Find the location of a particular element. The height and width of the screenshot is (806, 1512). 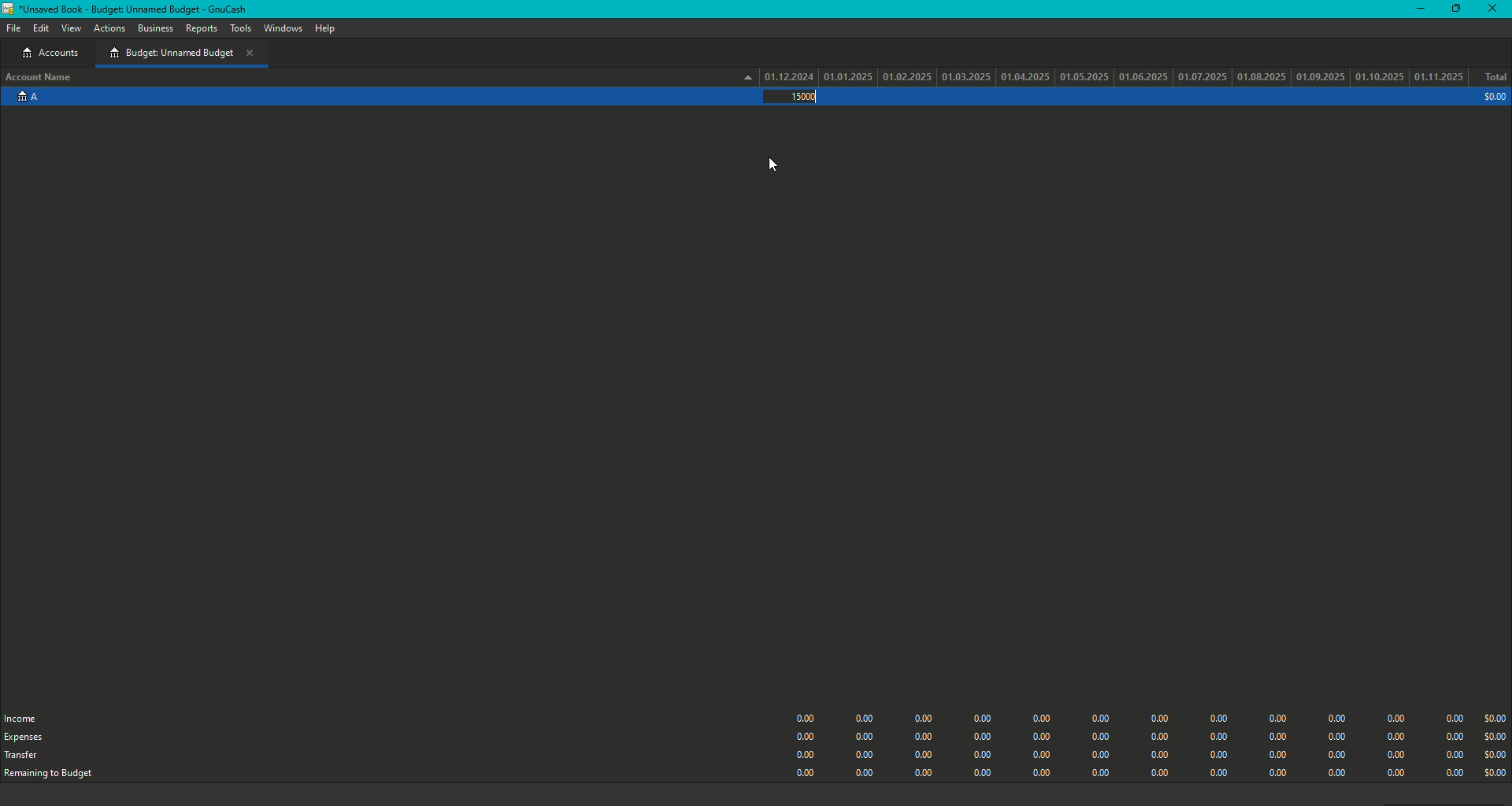

$0 is located at coordinates (1492, 98).